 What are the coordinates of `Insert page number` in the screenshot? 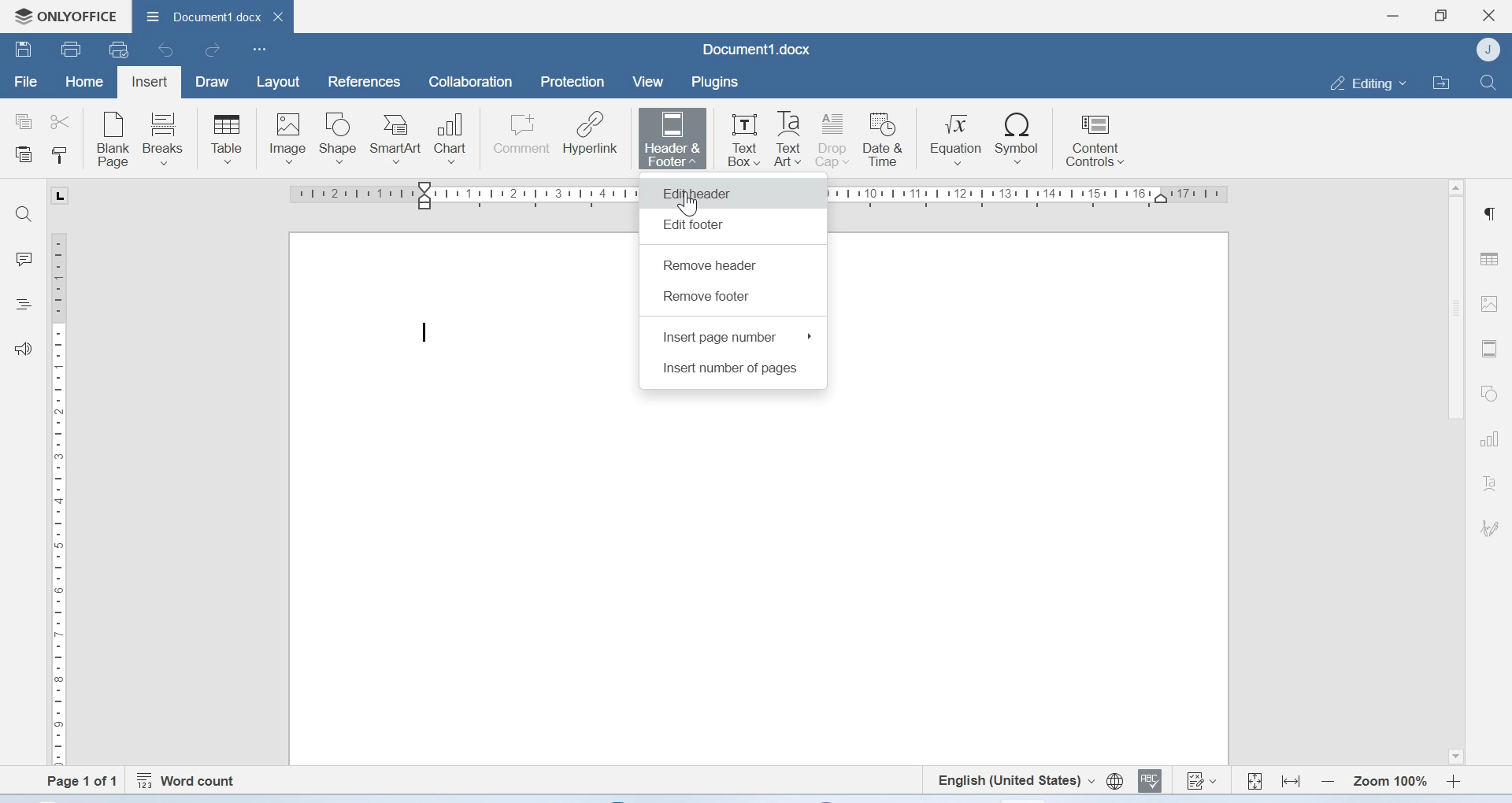 It's located at (737, 336).